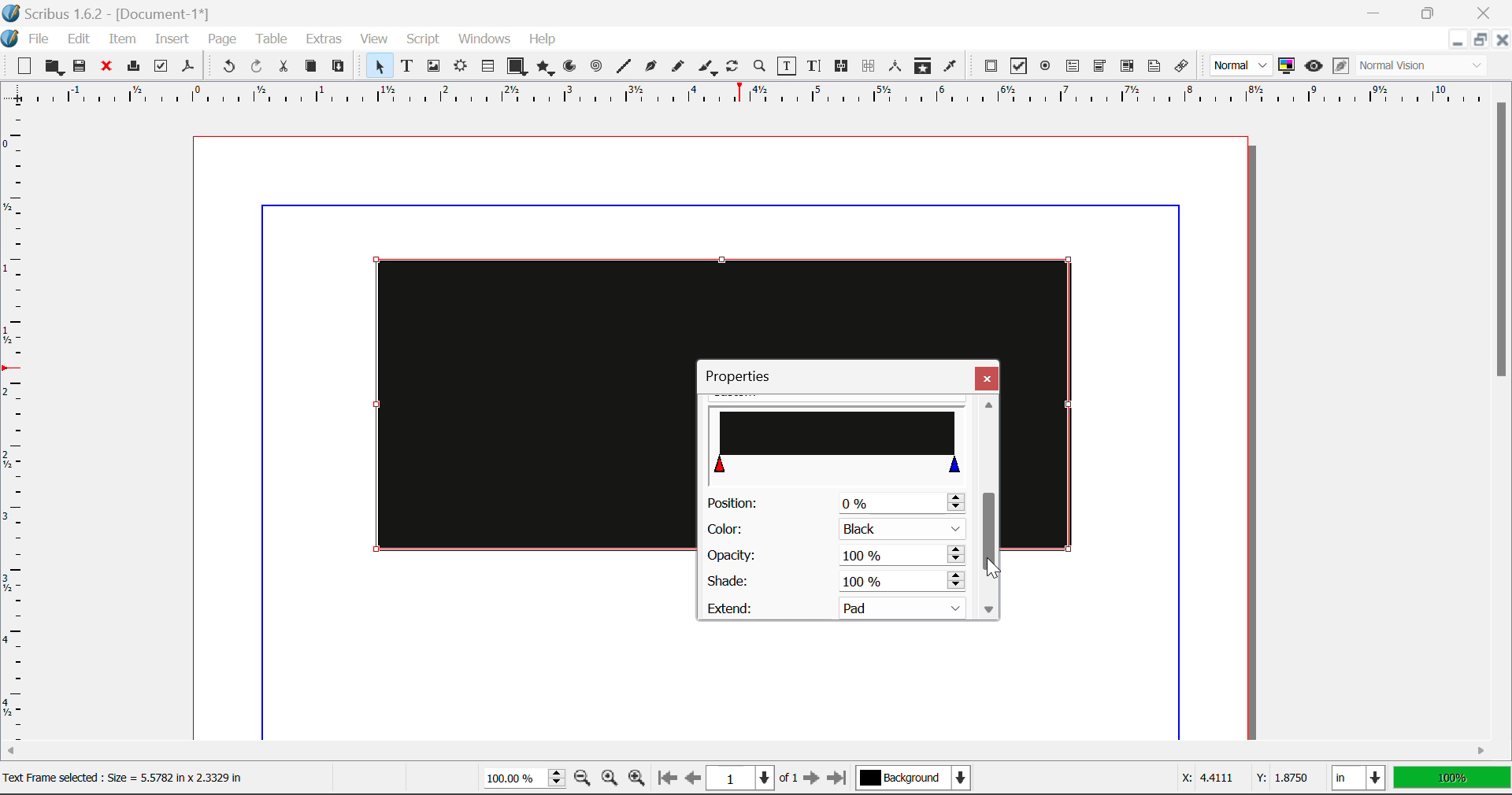 The width and height of the screenshot is (1512, 795). Describe the element at coordinates (81, 67) in the screenshot. I see `Save` at that location.